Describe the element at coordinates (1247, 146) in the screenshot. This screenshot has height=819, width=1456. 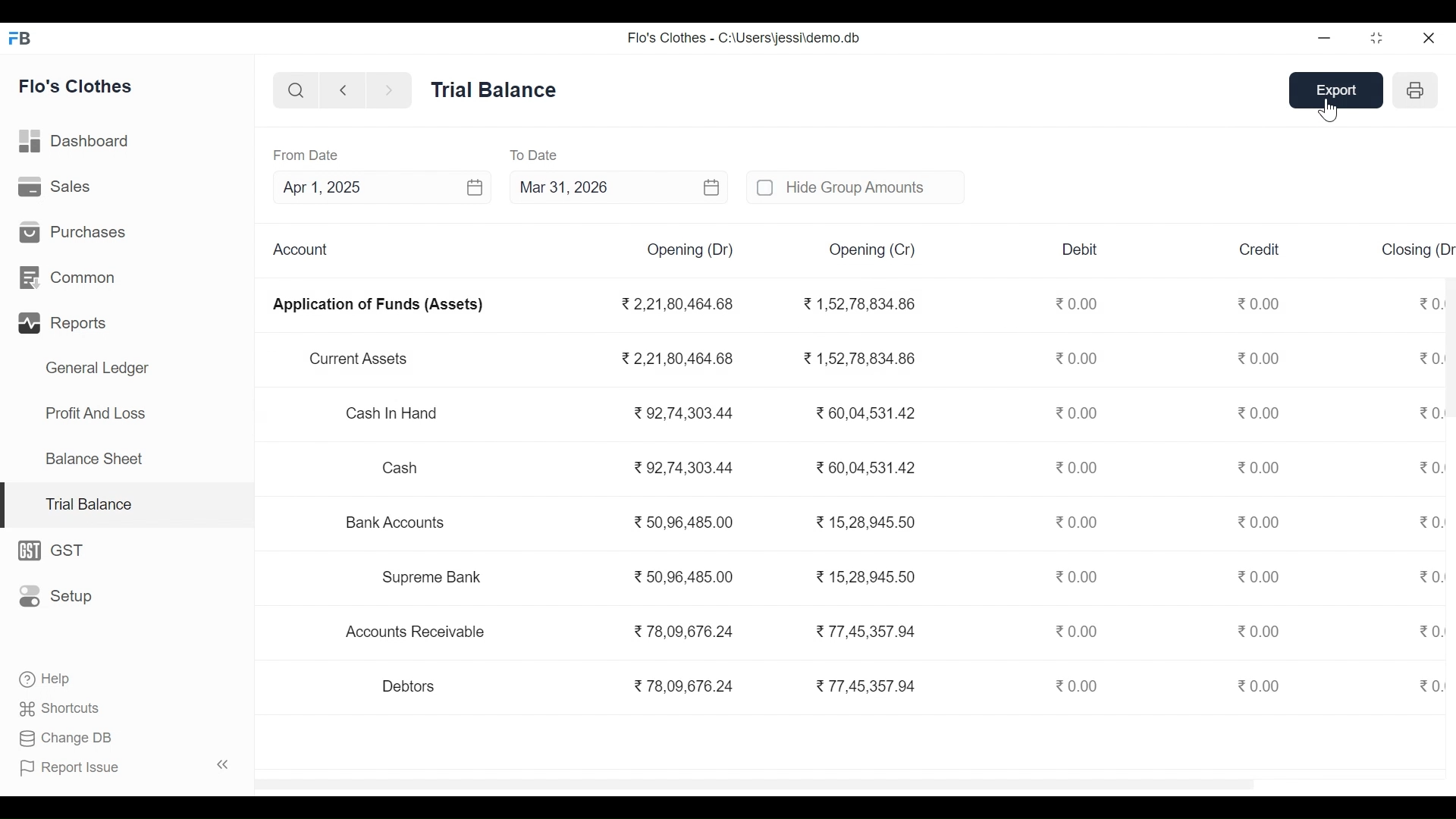
I see `EXPORT` at that location.